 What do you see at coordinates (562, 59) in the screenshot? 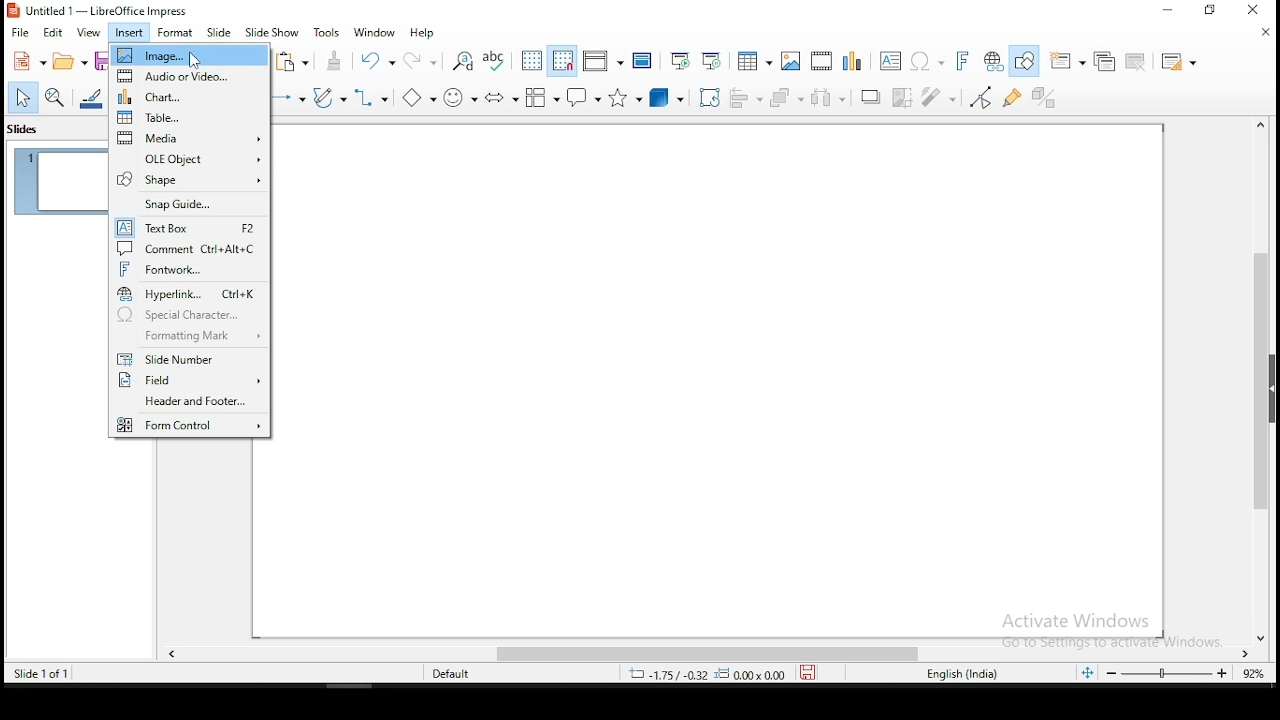
I see `snap to grid` at bounding box center [562, 59].